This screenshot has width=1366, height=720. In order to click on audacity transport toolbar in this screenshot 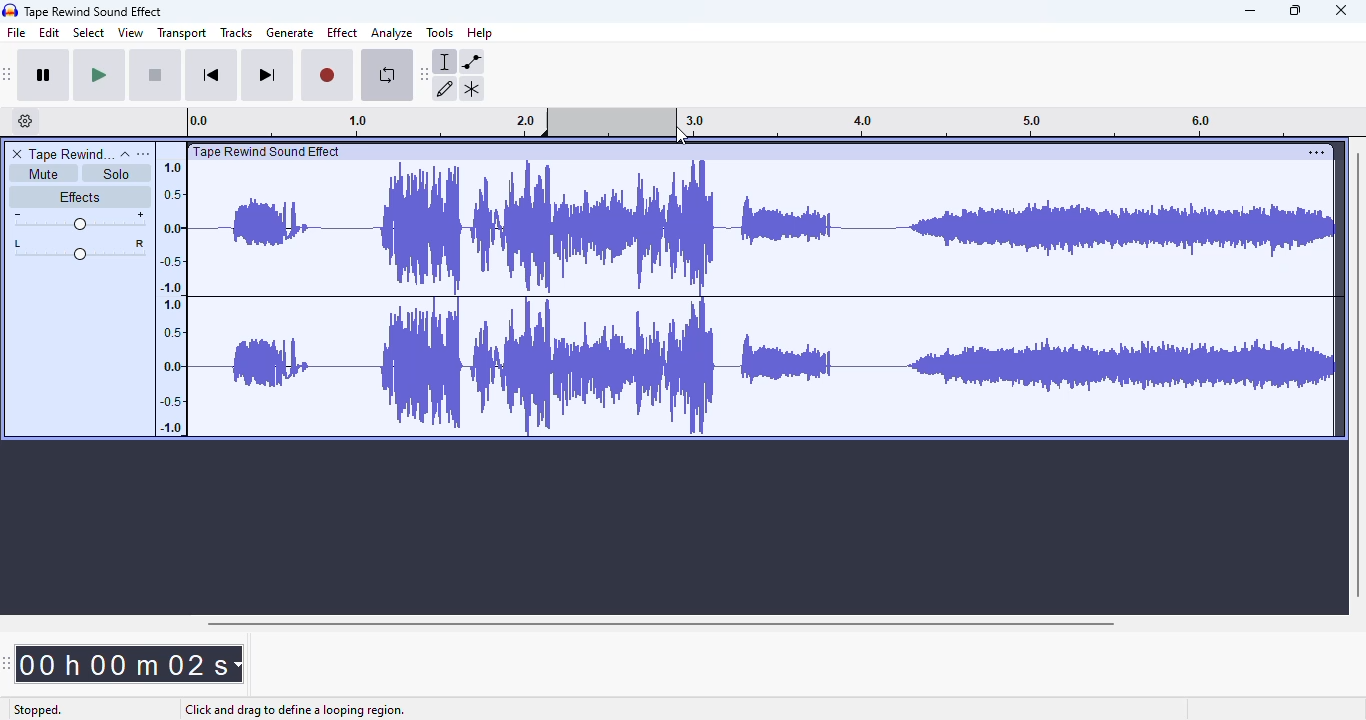, I will do `click(7, 75)`.